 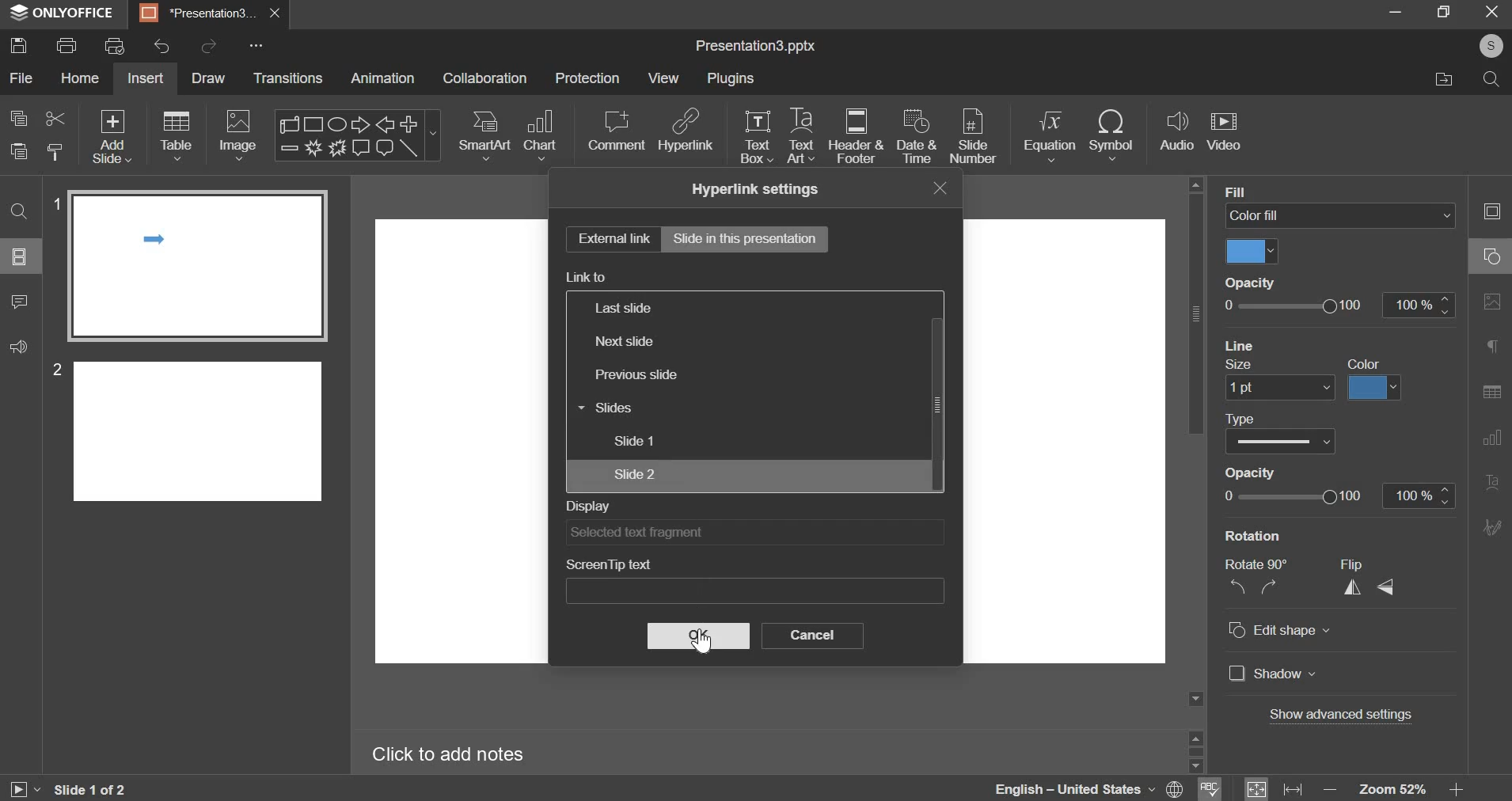 I want to click on date & time, so click(x=917, y=135).